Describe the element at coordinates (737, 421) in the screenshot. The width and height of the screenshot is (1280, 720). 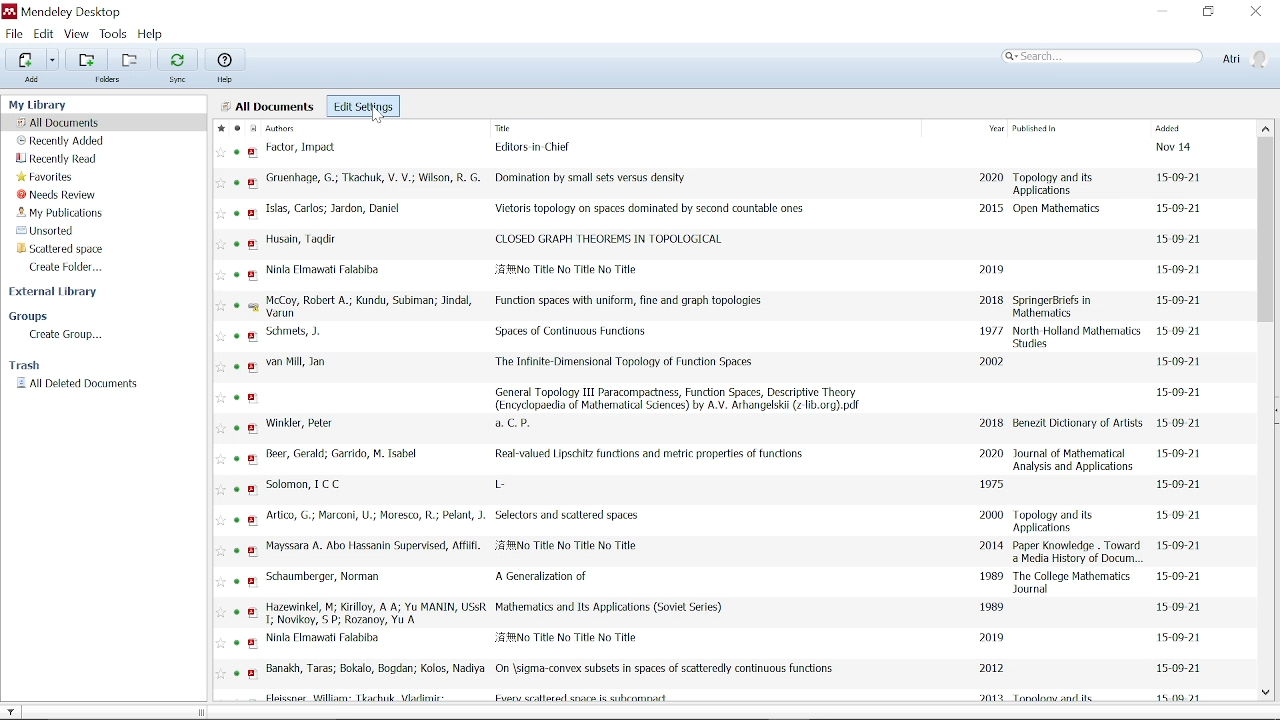
I see `All files with author, title, year, published in, added columns` at that location.